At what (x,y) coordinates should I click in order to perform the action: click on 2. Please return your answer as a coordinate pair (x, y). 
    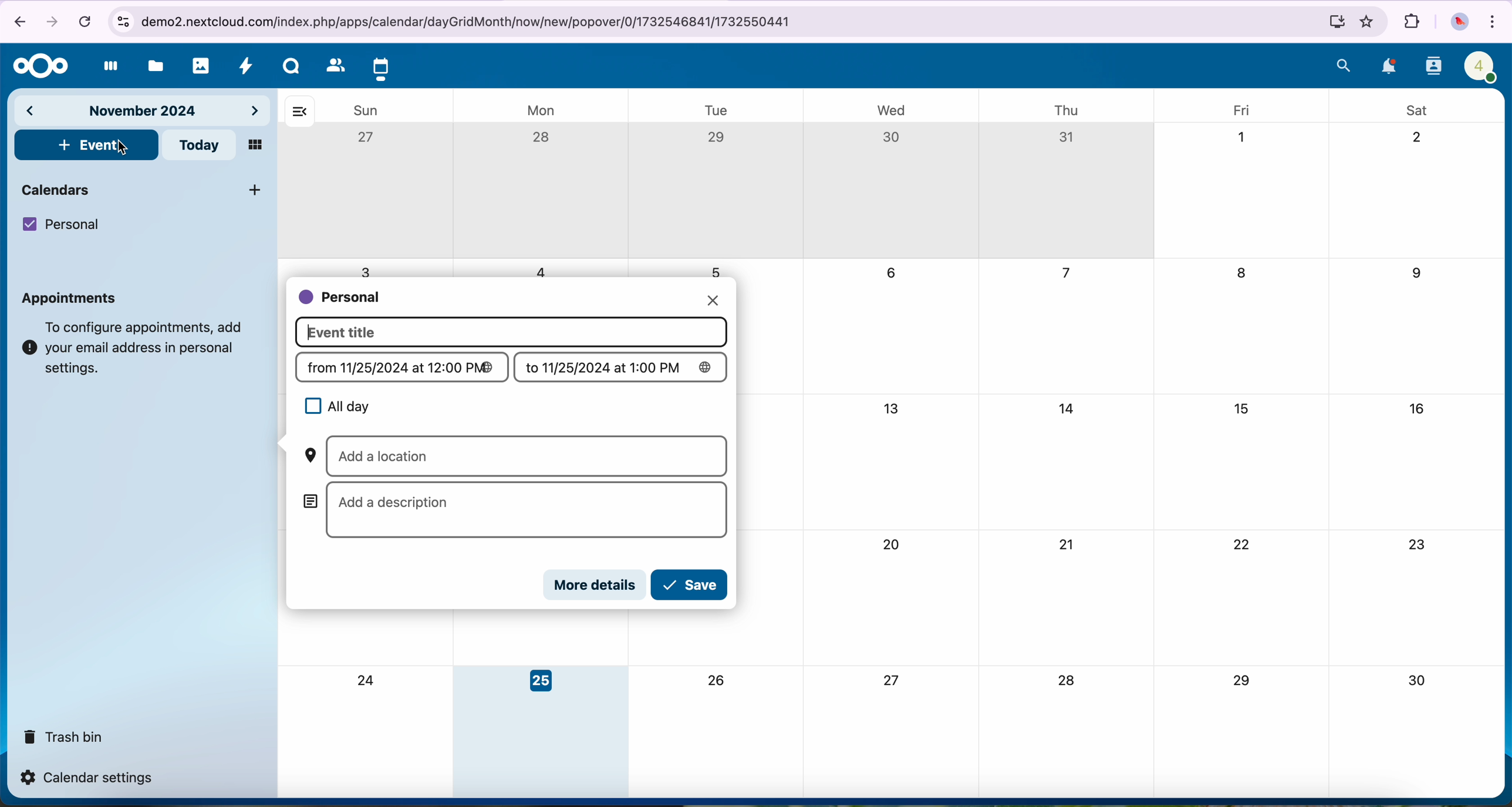
    Looking at the image, I should click on (1418, 138).